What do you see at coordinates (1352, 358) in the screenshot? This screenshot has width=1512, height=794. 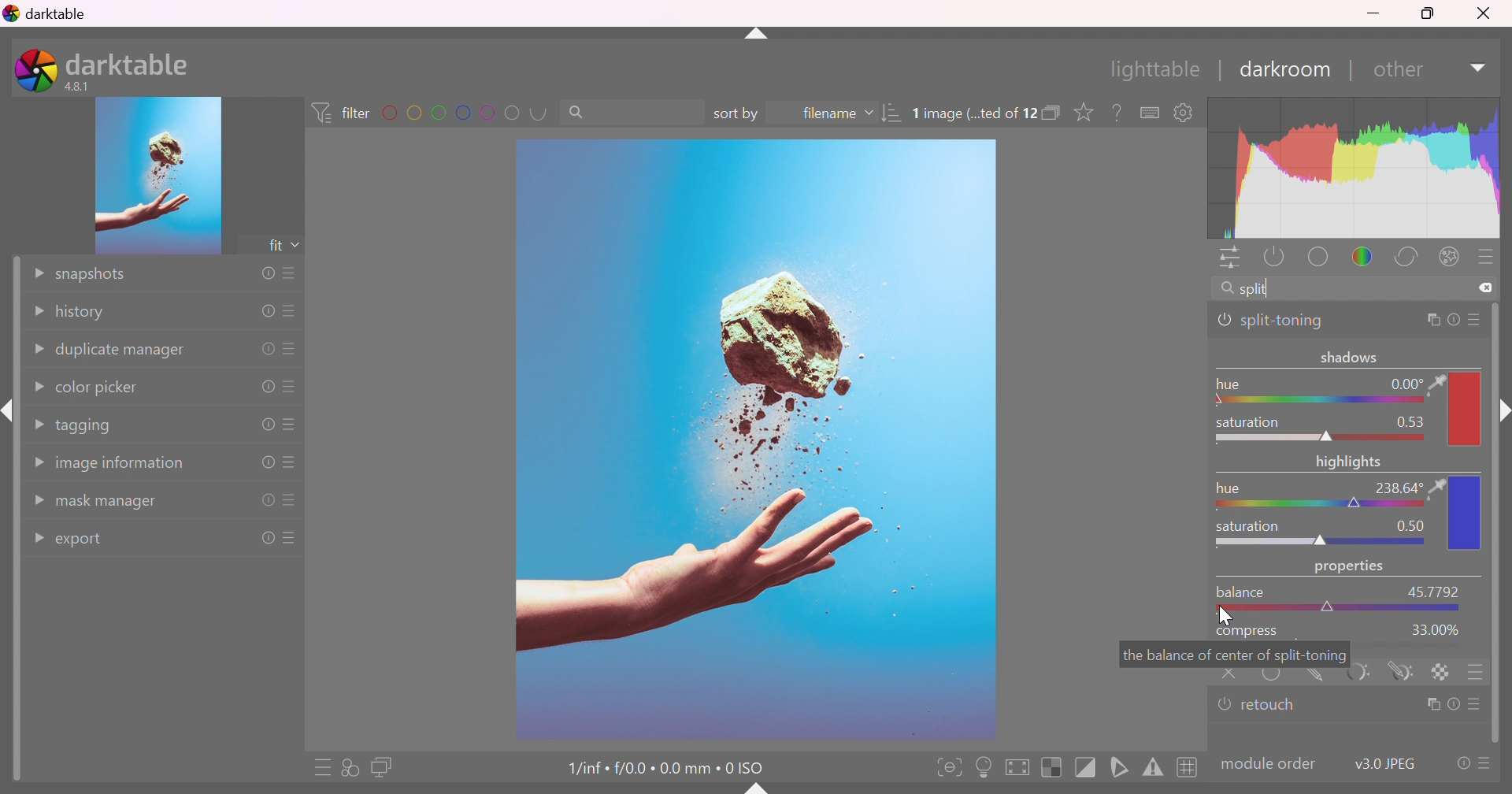 I see `shadows` at bounding box center [1352, 358].